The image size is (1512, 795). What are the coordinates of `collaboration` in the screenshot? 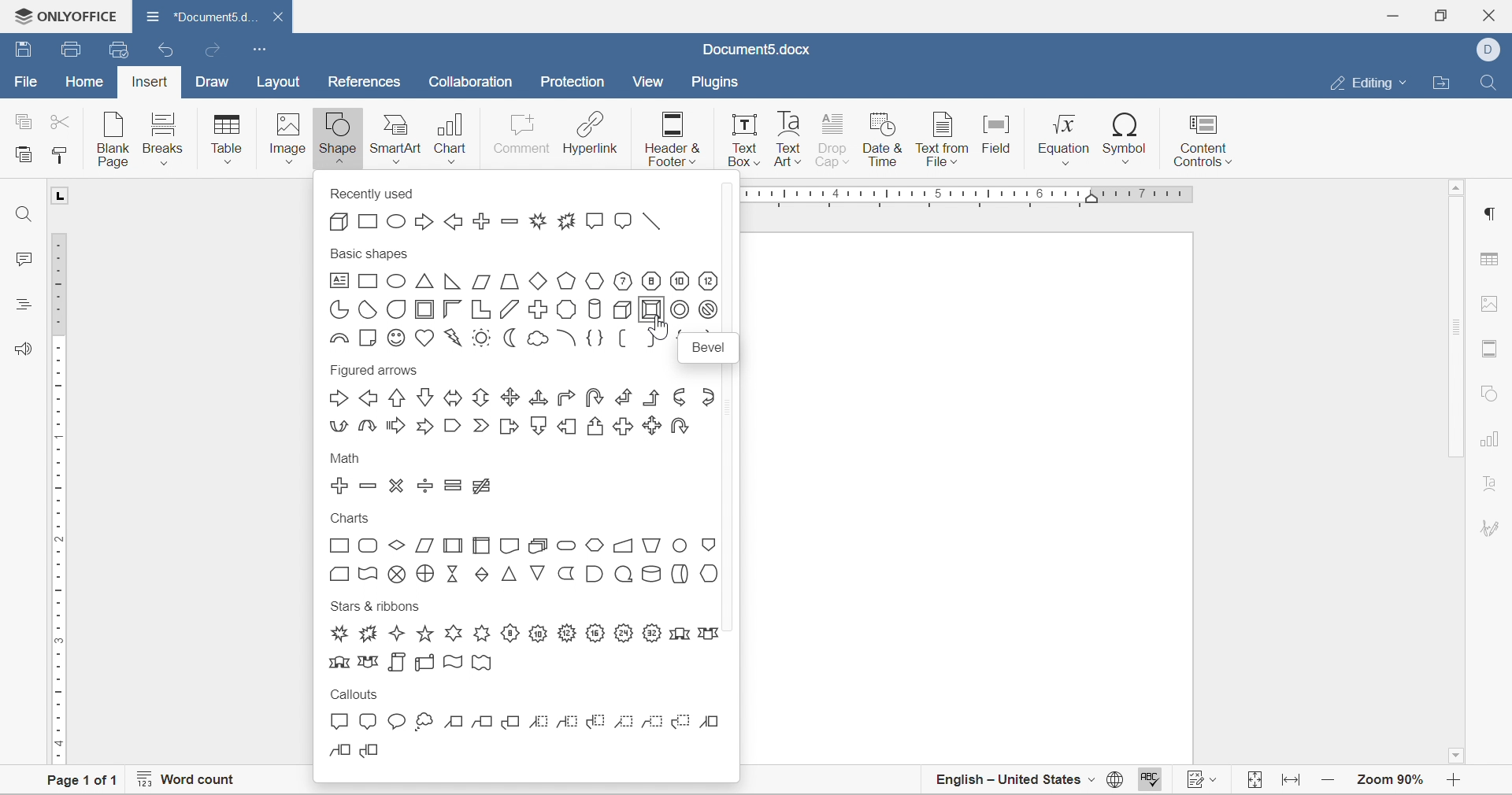 It's located at (471, 82).